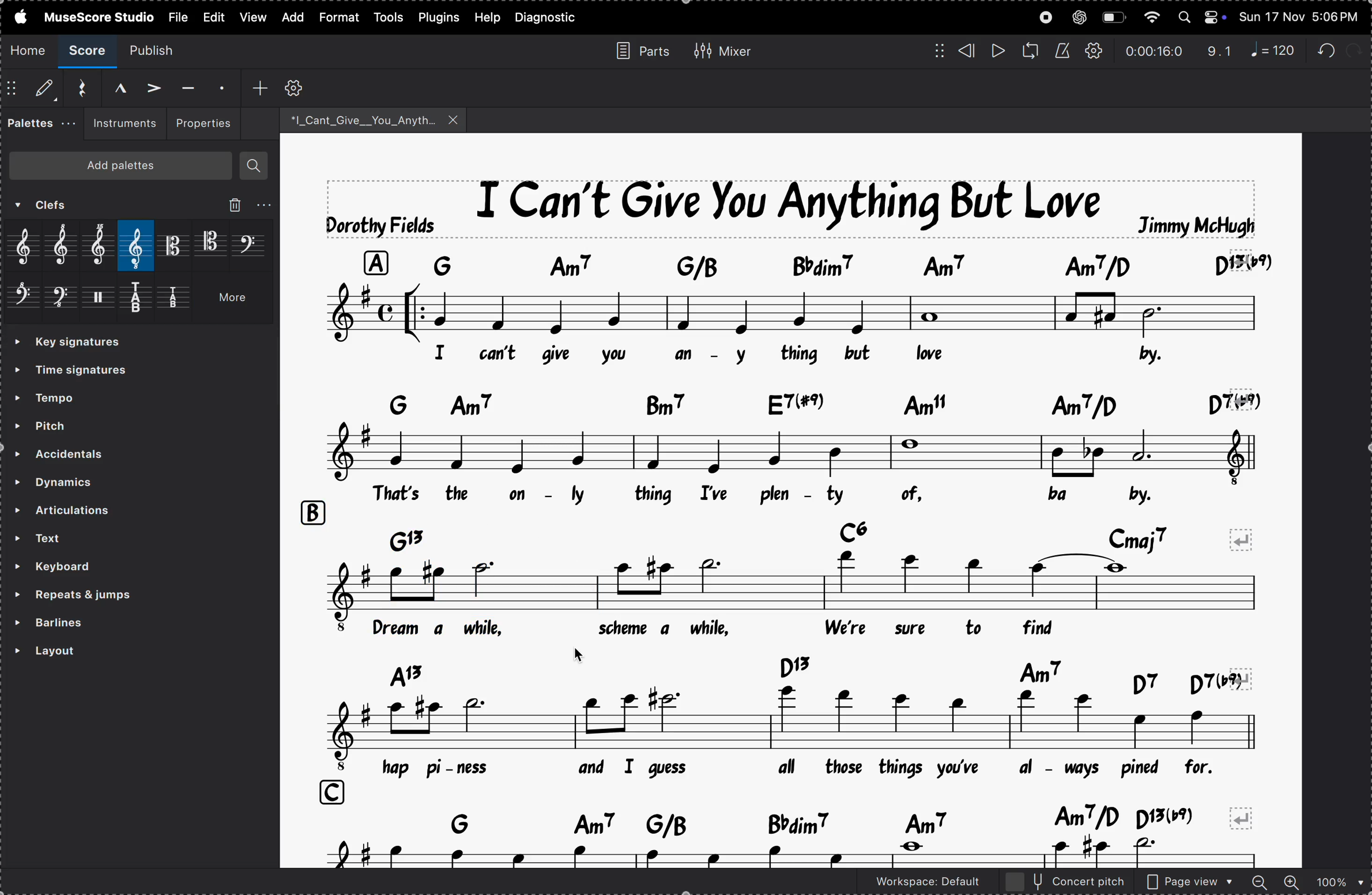 This screenshot has width=1372, height=895. Describe the element at coordinates (105, 595) in the screenshot. I see `repeats and jumps` at that location.